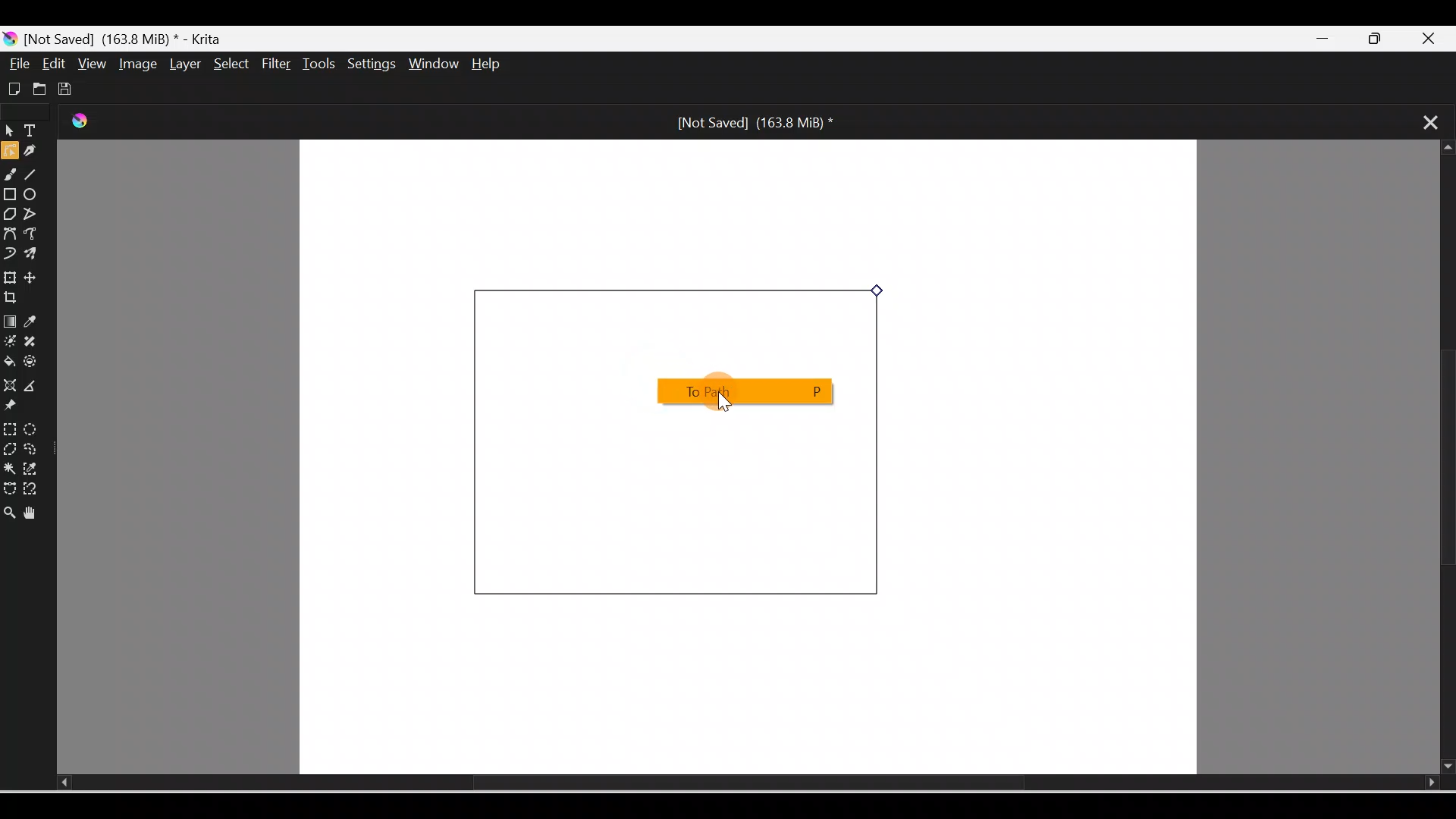 This screenshot has height=819, width=1456. Describe the element at coordinates (10, 342) in the screenshot. I see `Colorize mask tool` at that location.